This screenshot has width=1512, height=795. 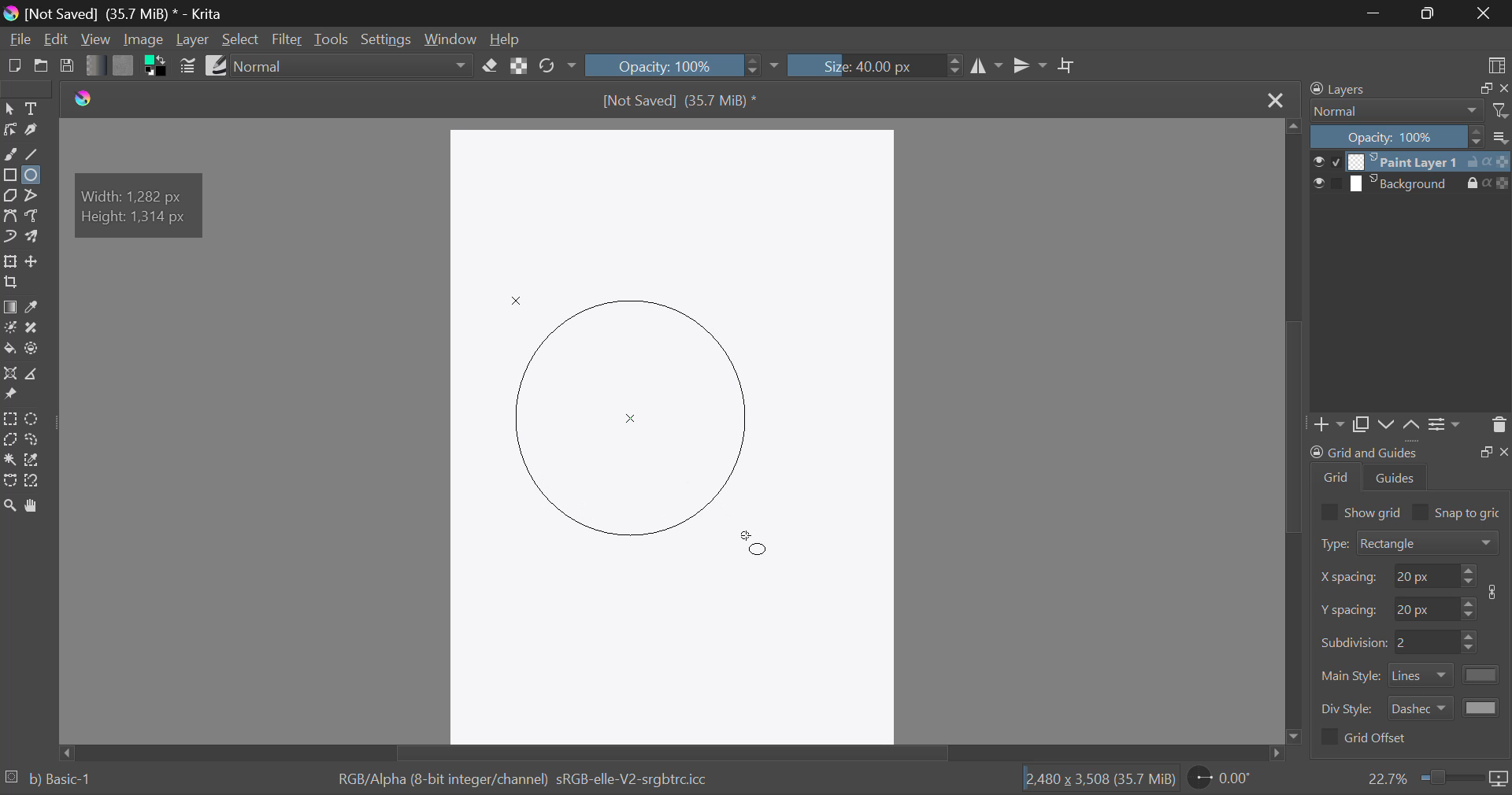 What do you see at coordinates (32, 461) in the screenshot?
I see `Similar Color Selection` at bounding box center [32, 461].